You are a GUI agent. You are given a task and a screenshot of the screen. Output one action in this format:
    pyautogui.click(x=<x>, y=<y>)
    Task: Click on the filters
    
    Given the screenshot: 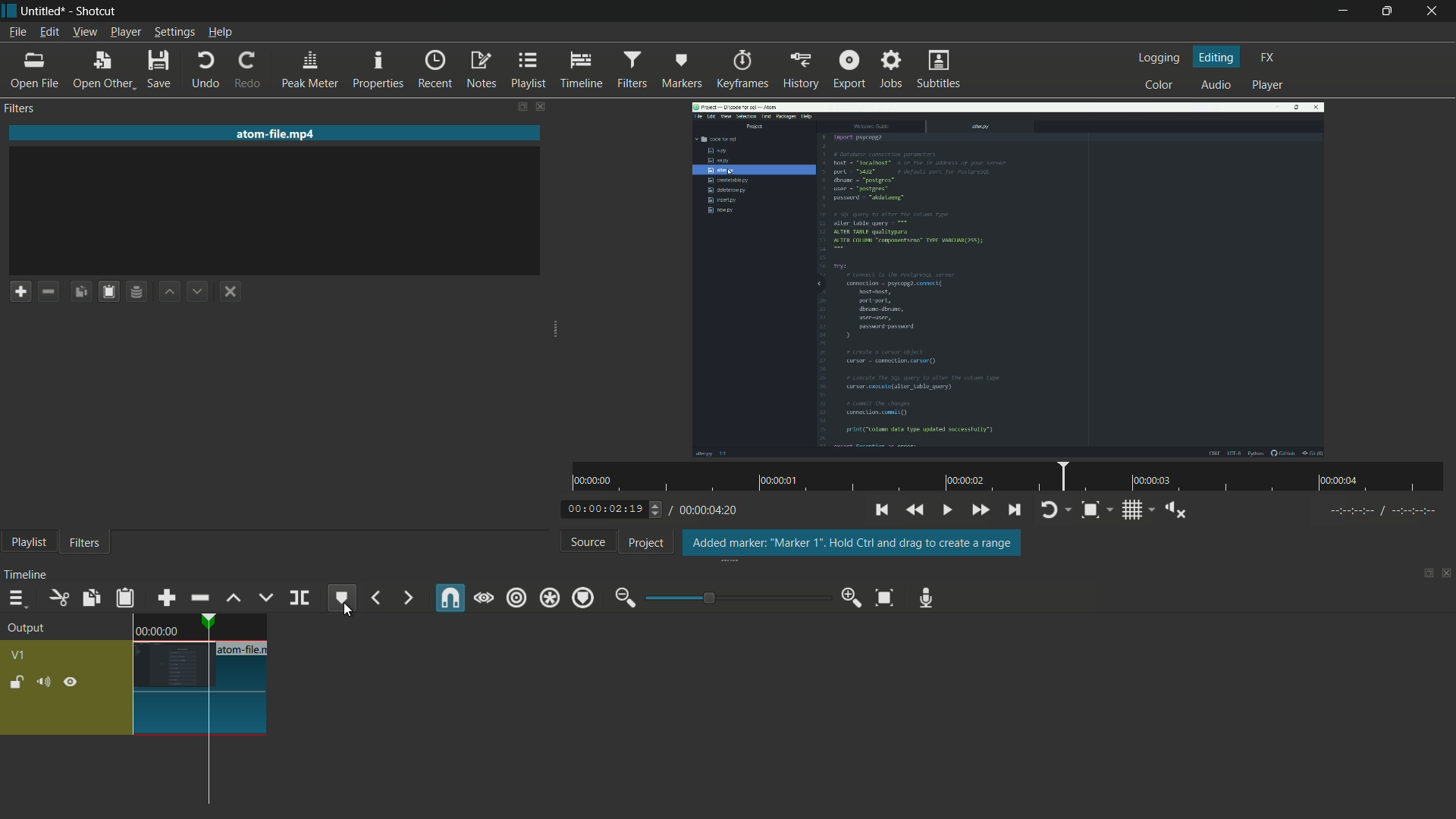 What is the action you would take?
    pyautogui.click(x=84, y=543)
    